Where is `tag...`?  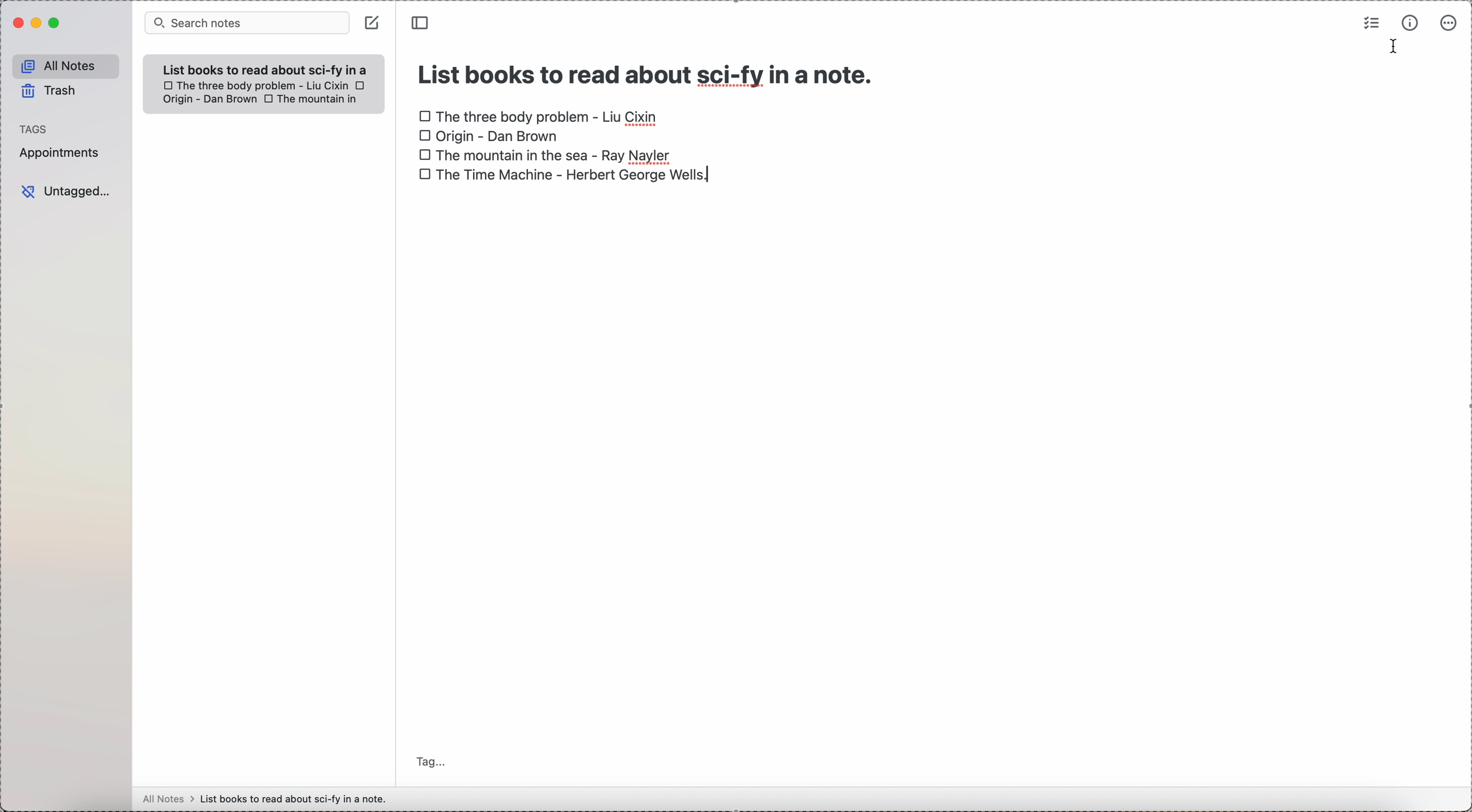 tag... is located at coordinates (433, 763).